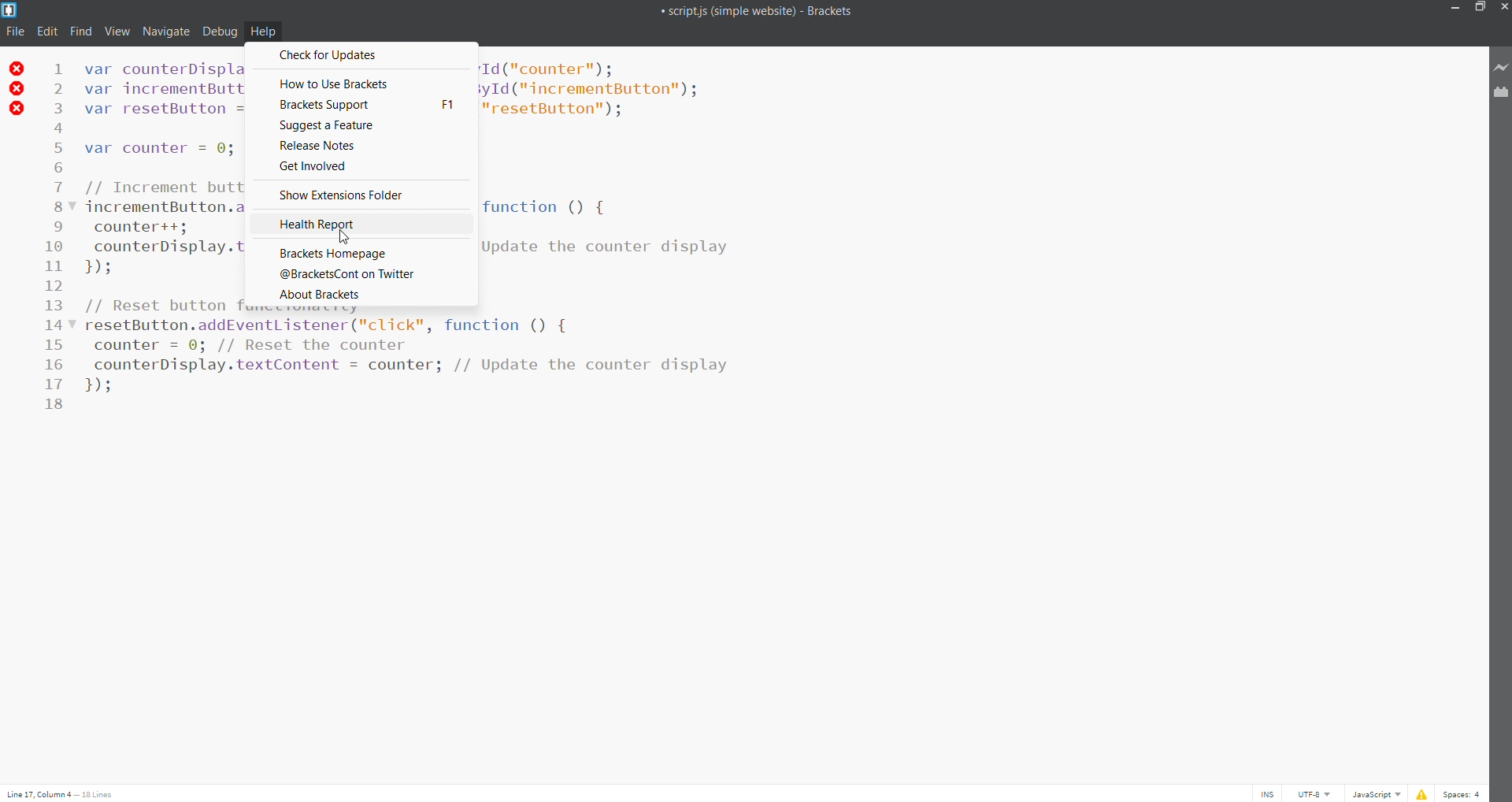 The image size is (1512, 802). I want to click on Script.JS (Simple website) - Brackets, so click(729, 9).